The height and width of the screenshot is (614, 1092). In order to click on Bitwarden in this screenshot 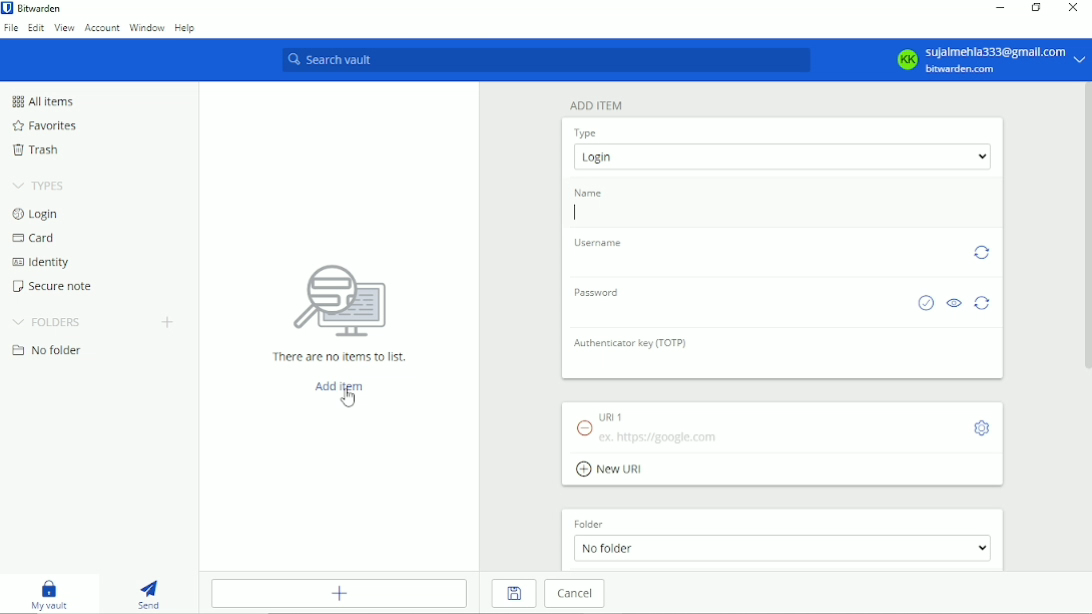, I will do `click(40, 8)`.